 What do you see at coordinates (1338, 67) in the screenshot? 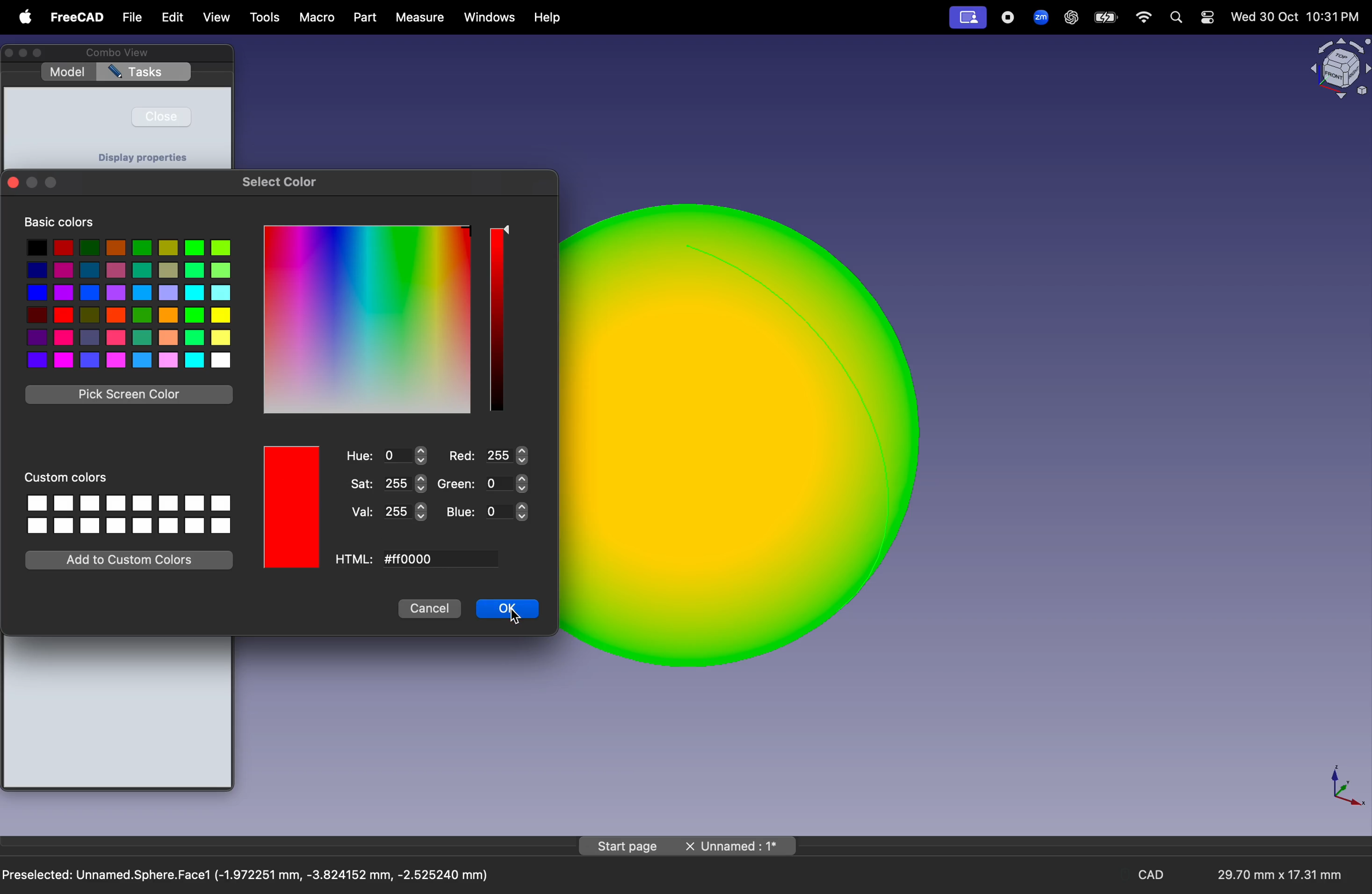
I see `object view` at bounding box center [1338, 67].